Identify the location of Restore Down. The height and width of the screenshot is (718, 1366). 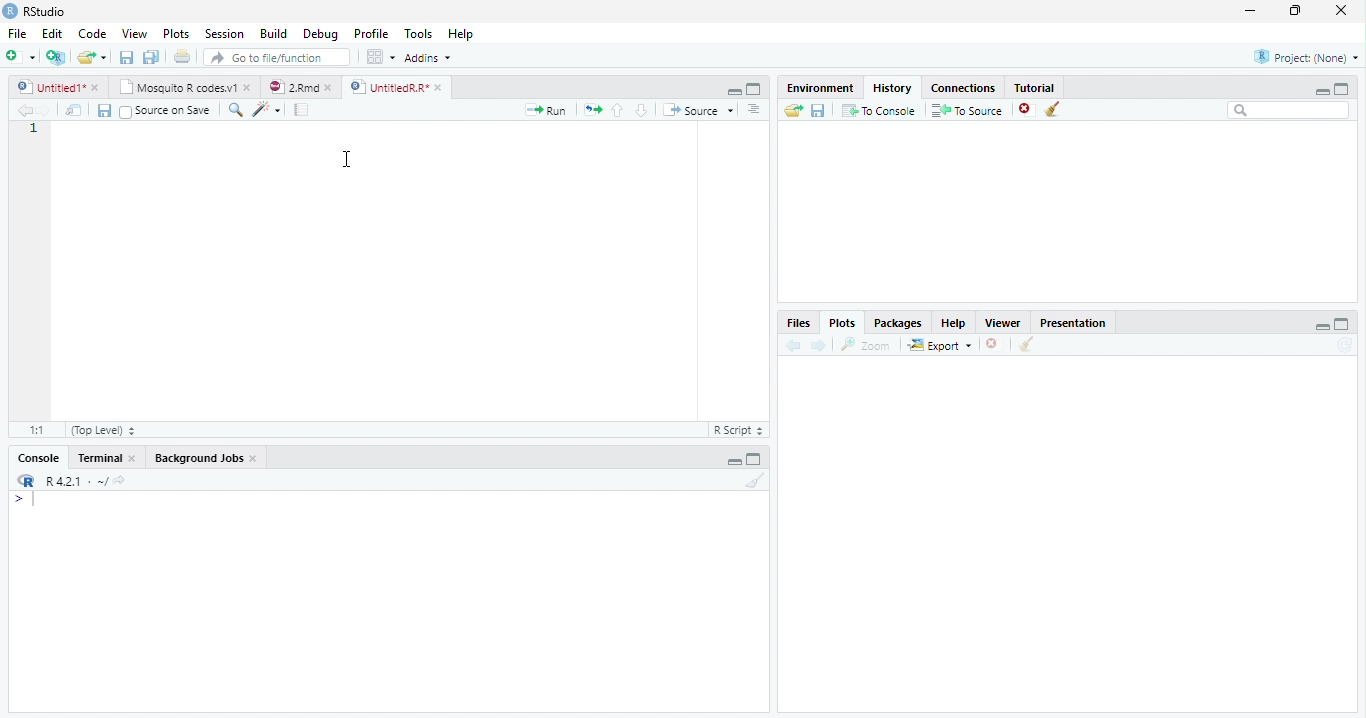
(1296, 12).